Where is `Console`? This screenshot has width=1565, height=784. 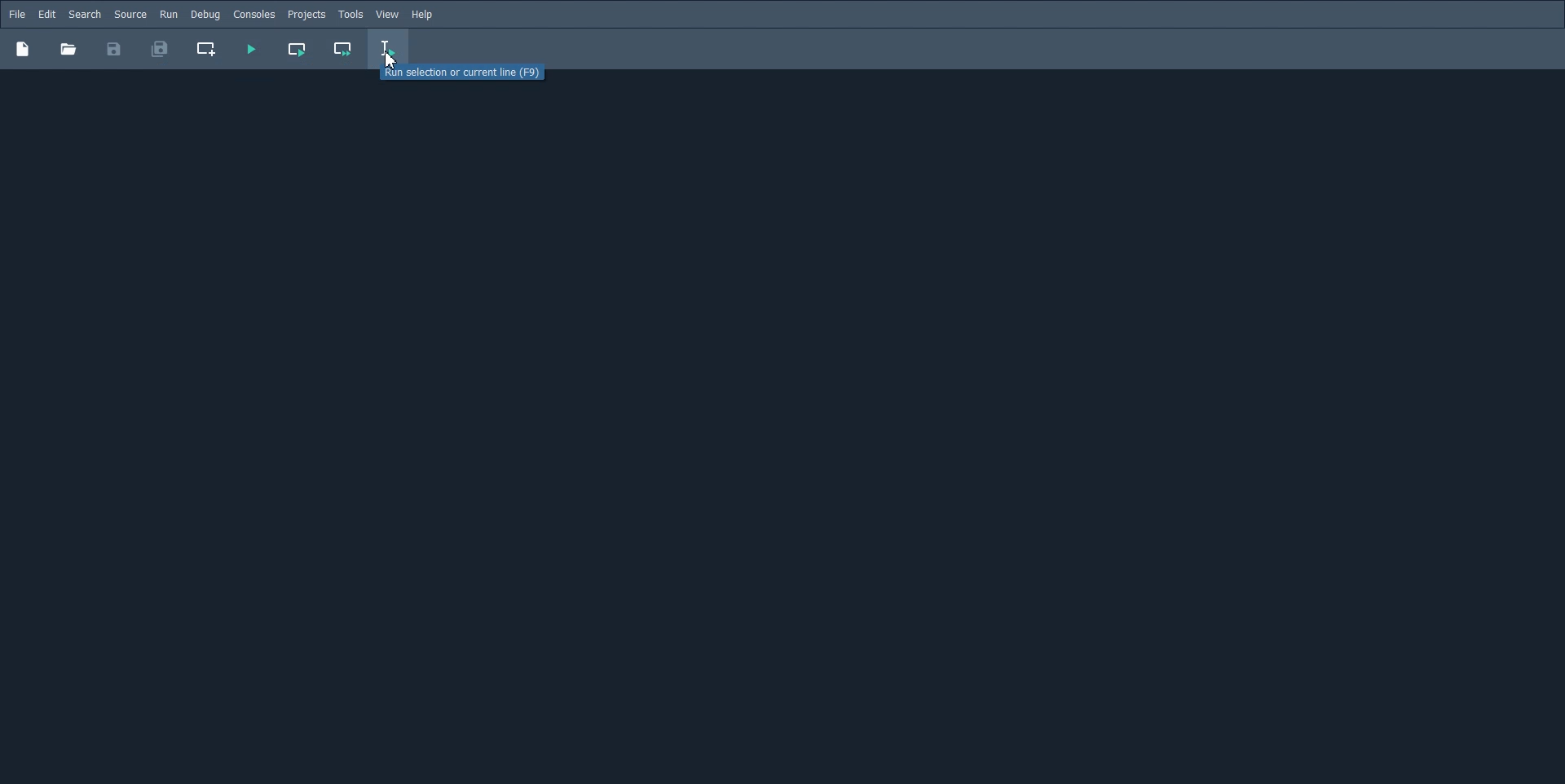 Console is located at coordinates (253, 15).